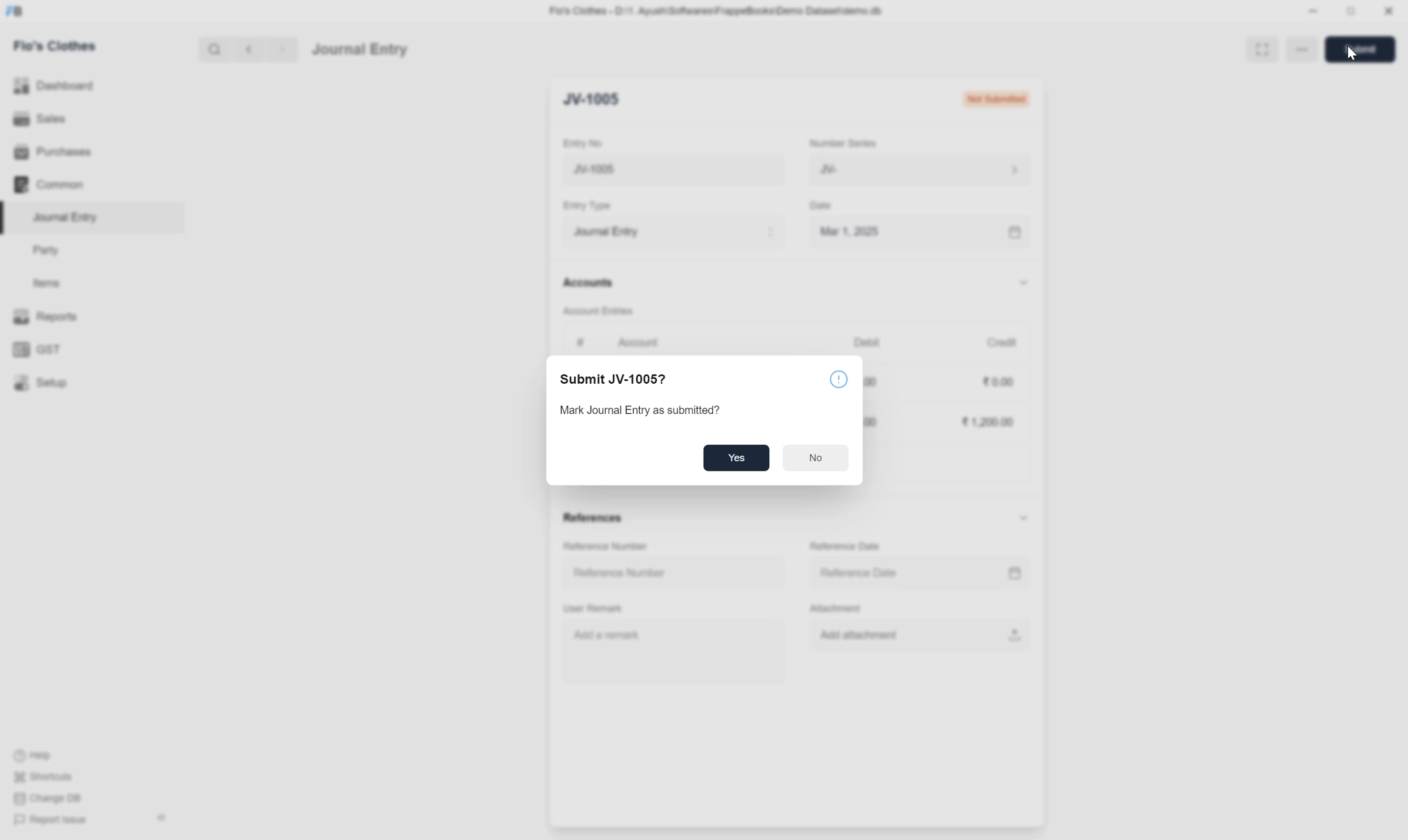  What do you see at coordinates (1304, 50) in the screenshot?
I see `options` at bounding box center [1304, 50].